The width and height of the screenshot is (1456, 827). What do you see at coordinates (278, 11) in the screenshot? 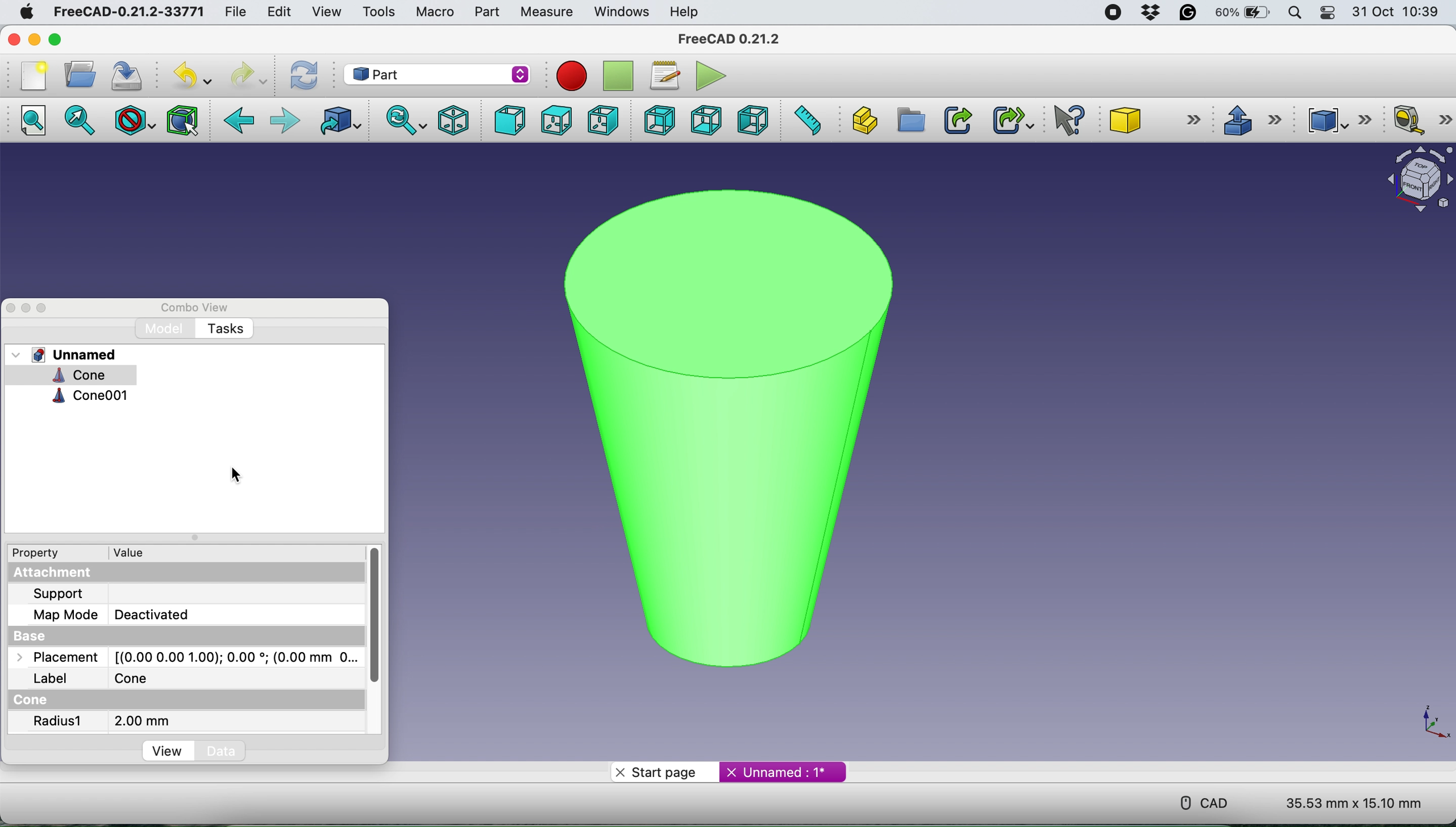
I see `edit` at bounding box center [278, 11].